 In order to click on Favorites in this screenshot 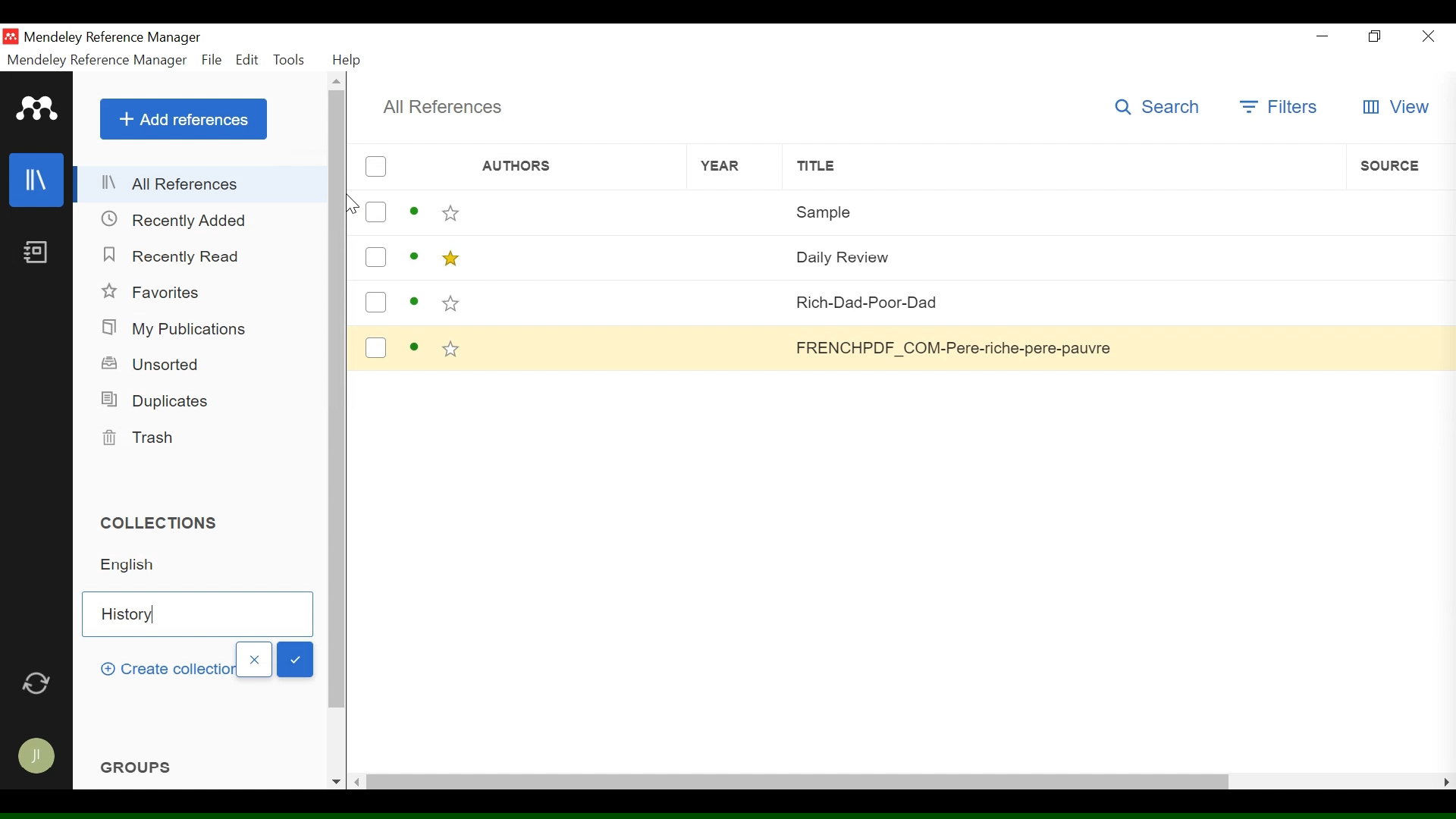, I will do `click(154, 295)`.